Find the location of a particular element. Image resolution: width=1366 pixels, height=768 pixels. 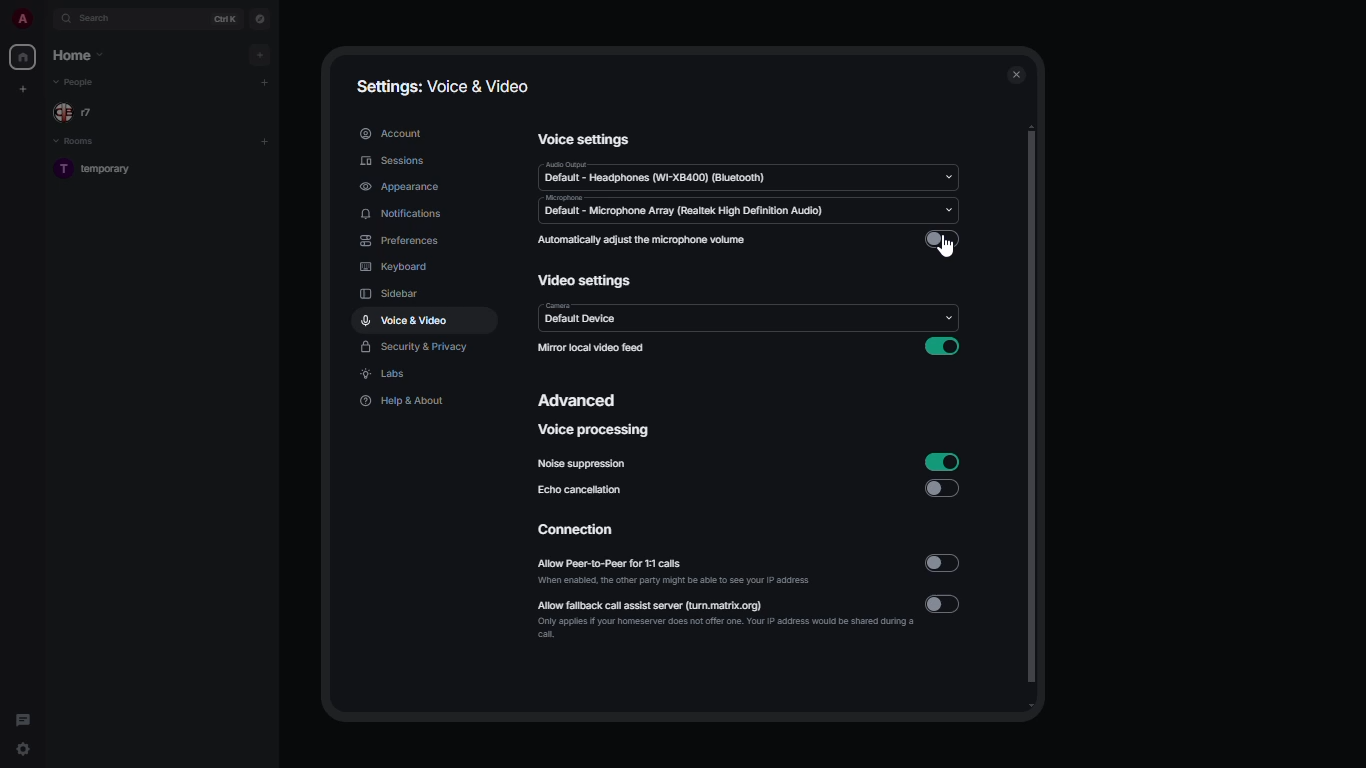

notifications is located at coordinates (407, 215).